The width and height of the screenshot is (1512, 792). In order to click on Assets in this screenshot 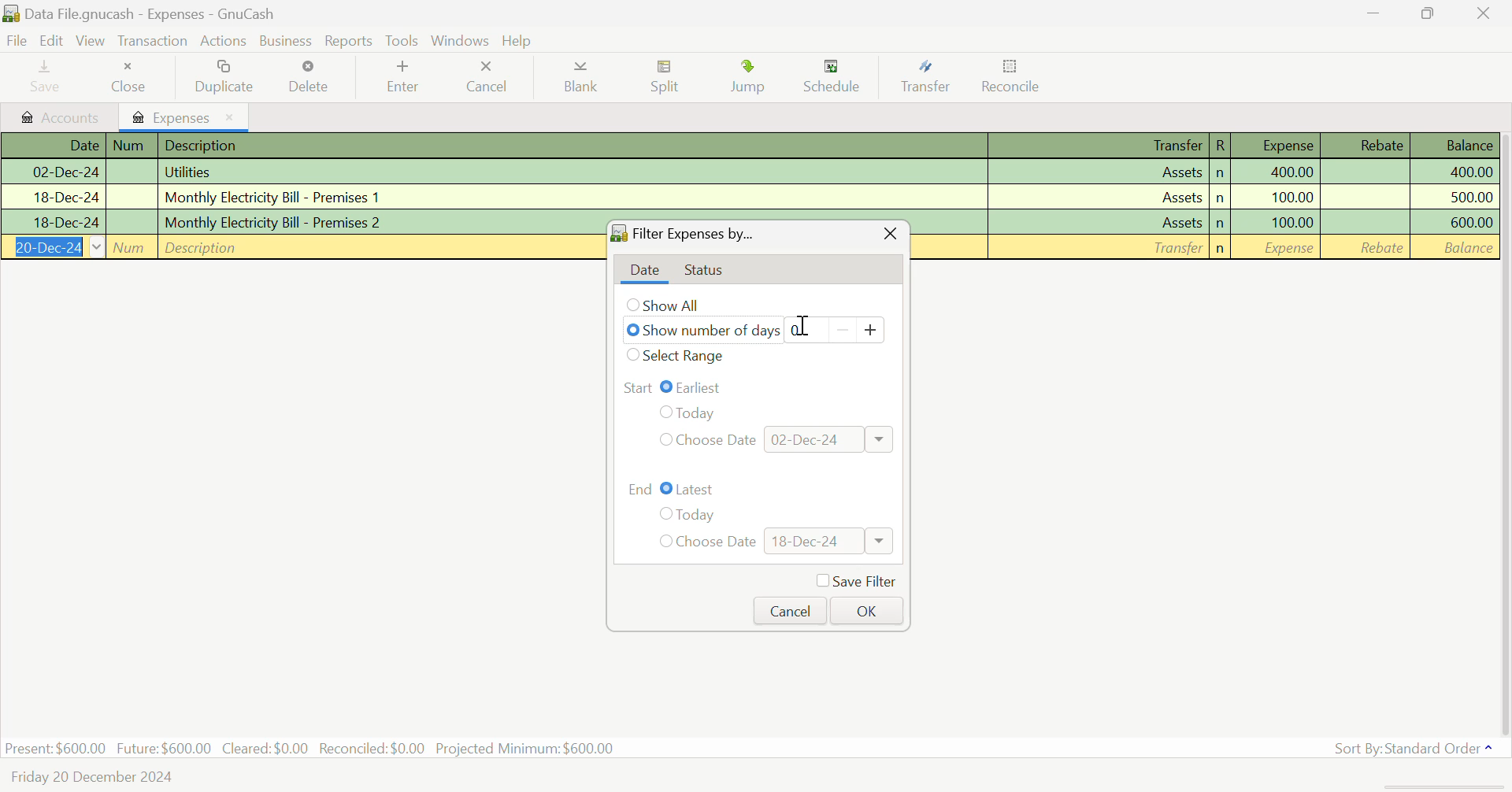, I will do `click(1098, 196)`.